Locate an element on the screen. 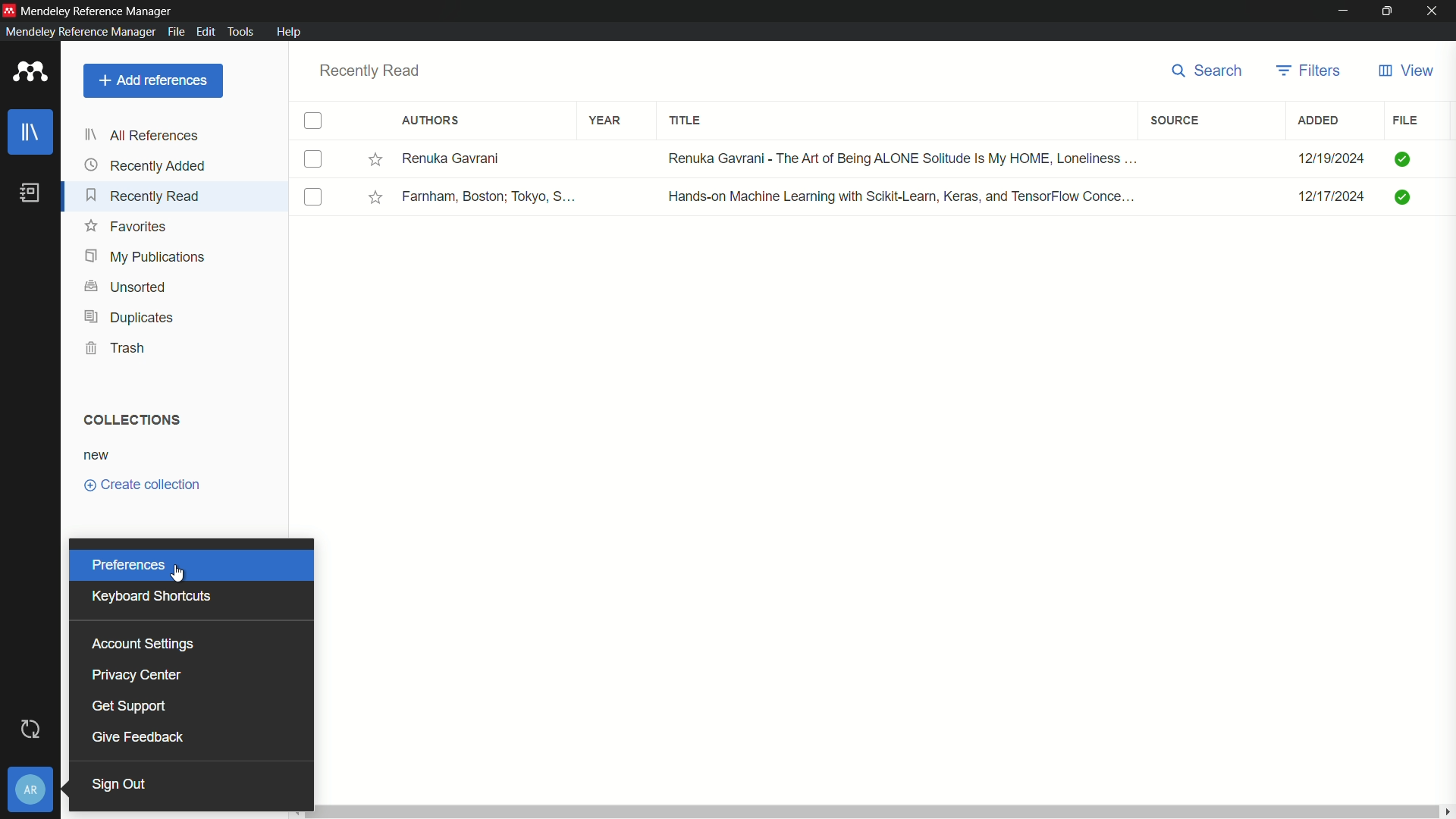 The height and width of the screenshot is (819, 1456). search is located at coordinates (1207, 74).